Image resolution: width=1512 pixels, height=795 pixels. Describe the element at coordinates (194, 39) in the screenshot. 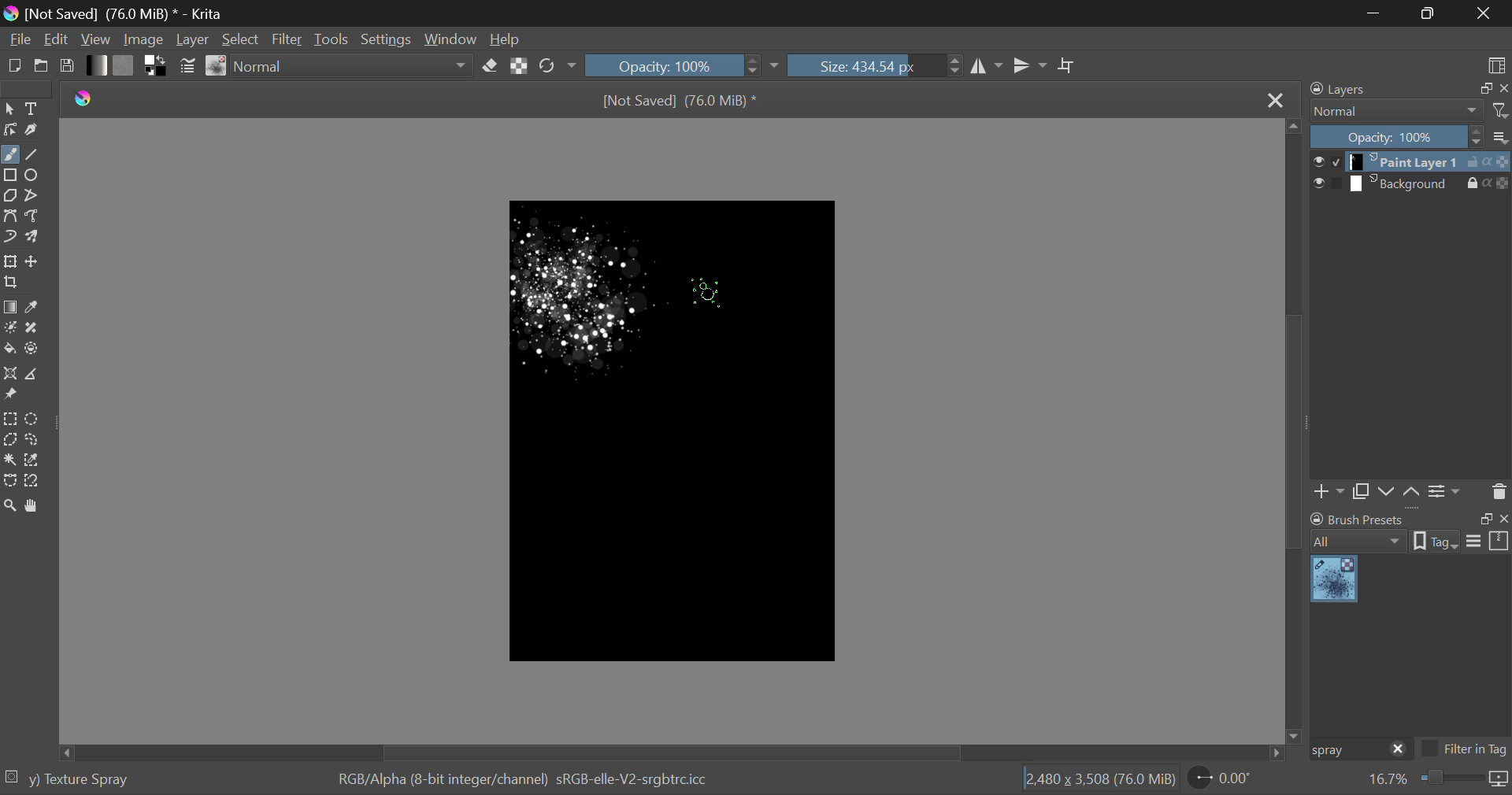

I see `Layer` at that location.